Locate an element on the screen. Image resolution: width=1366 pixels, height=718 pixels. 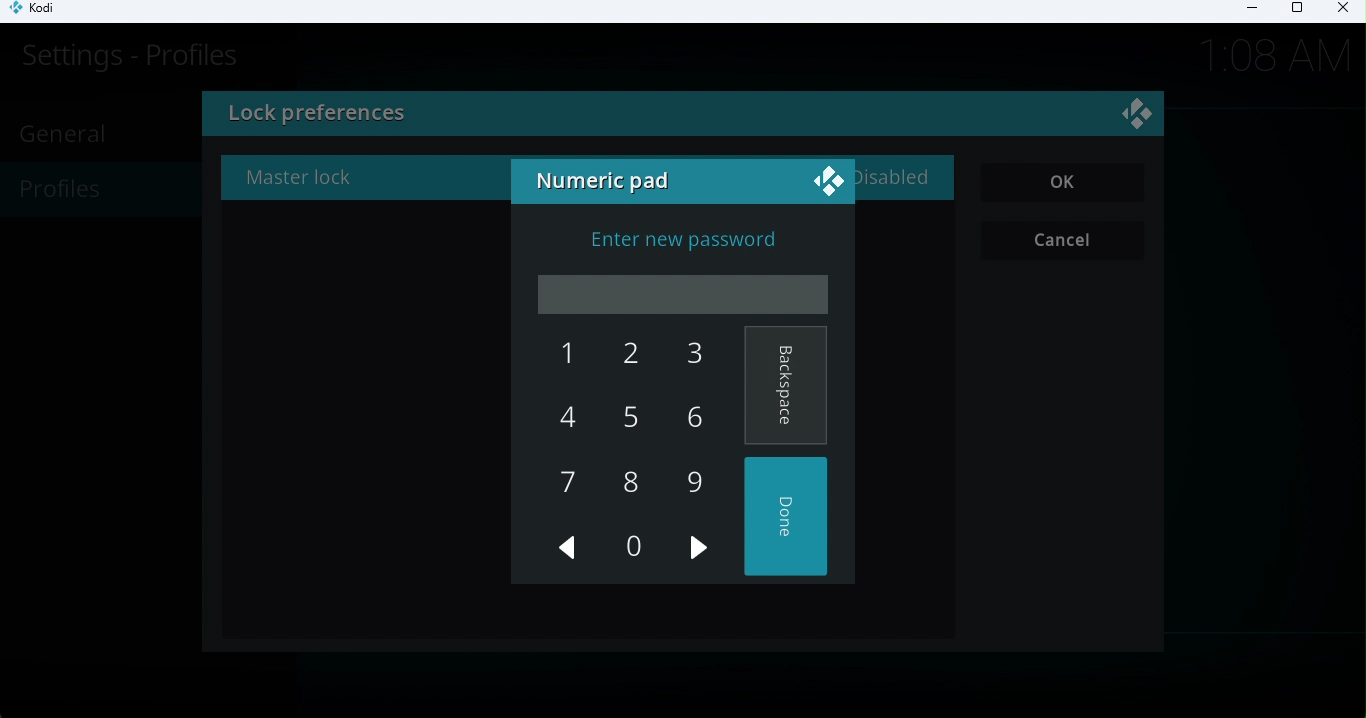
Close is located at coordinates (1140, 117).